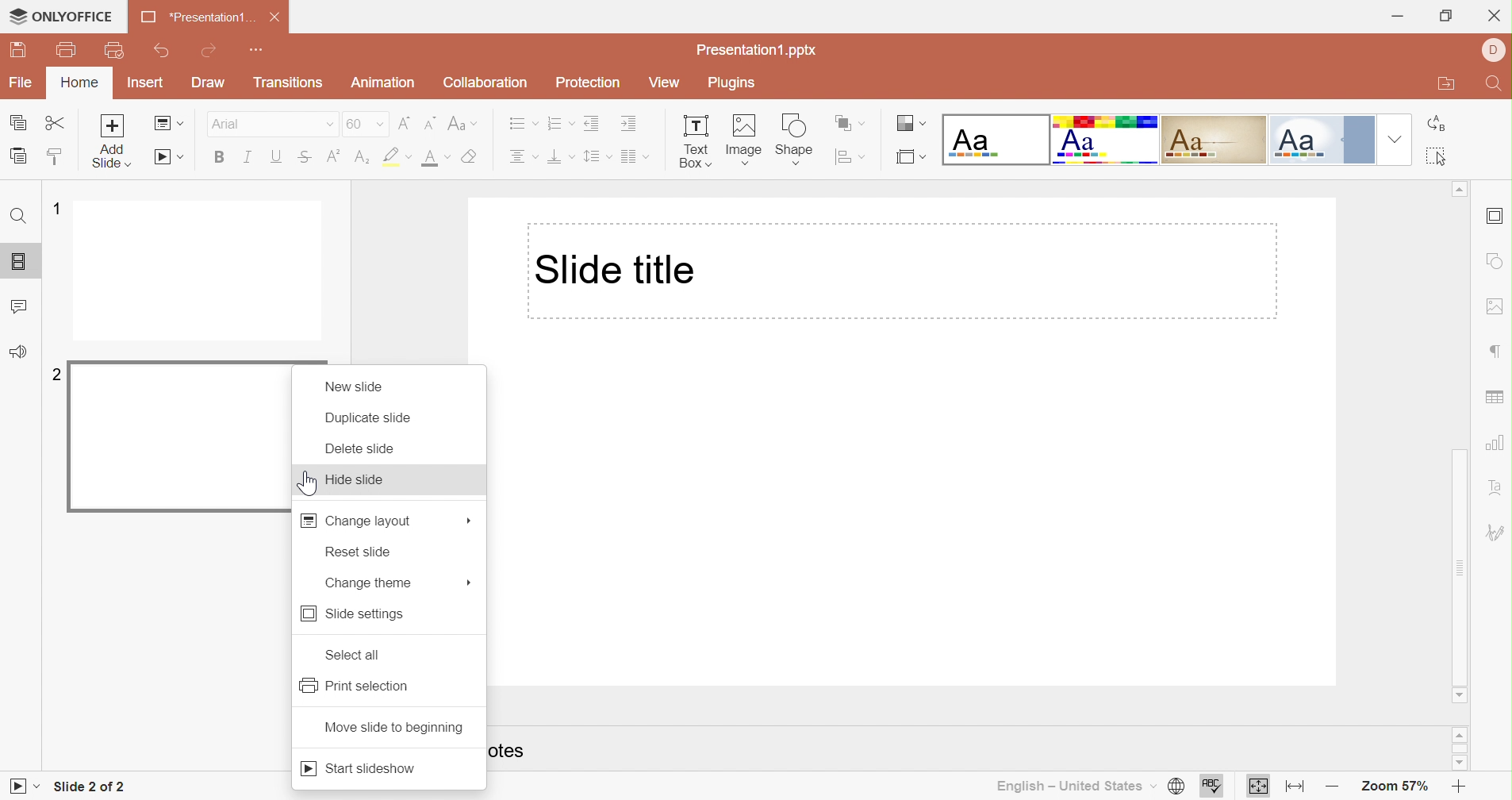  What do you see at coordinates (1438, 160) in the screenshot?
I see `Select all` at bounding box center [1438, 160].